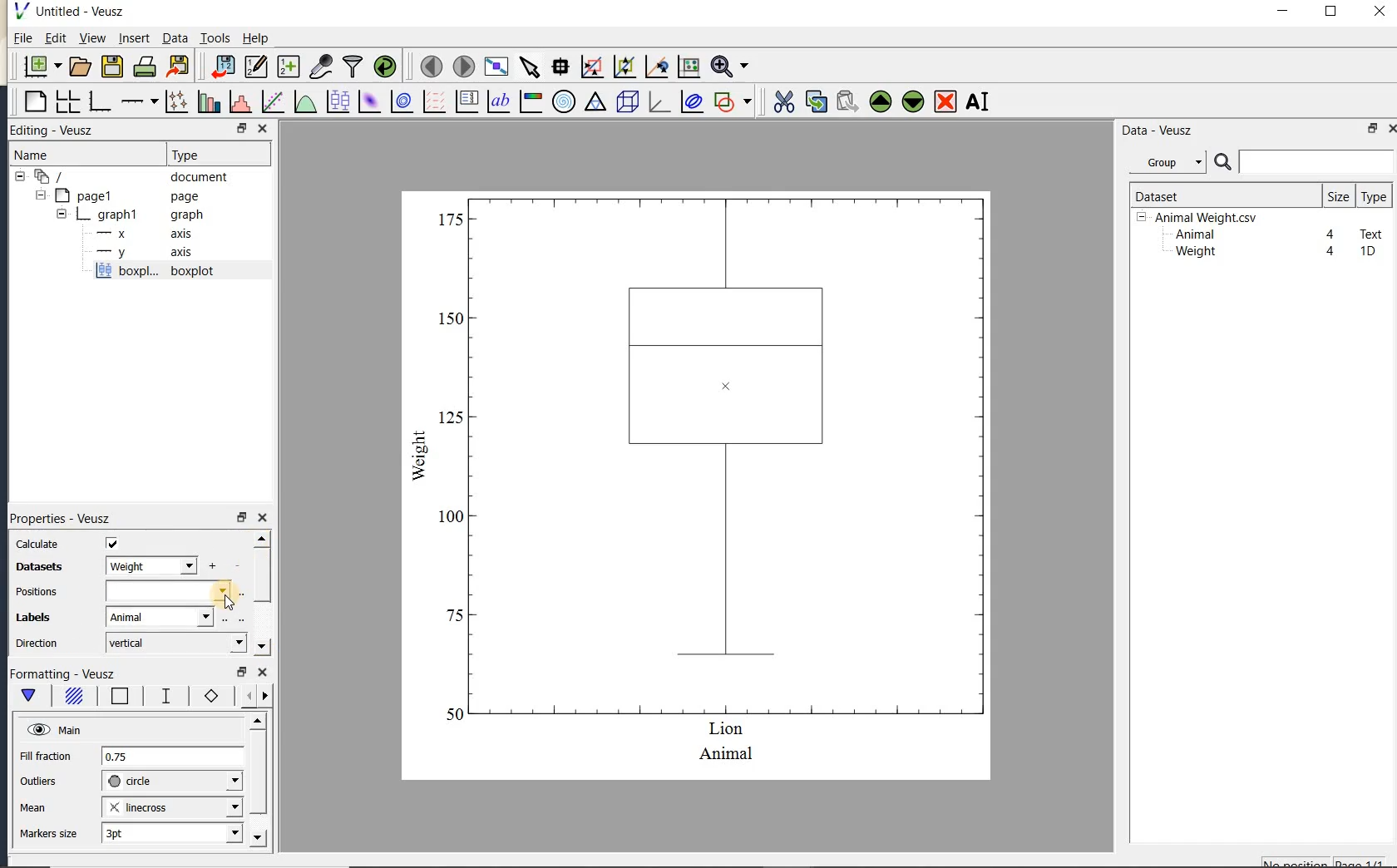 This screenshot has width=1397, height=868. I want to click on zoom function menus, so click(729, 67).